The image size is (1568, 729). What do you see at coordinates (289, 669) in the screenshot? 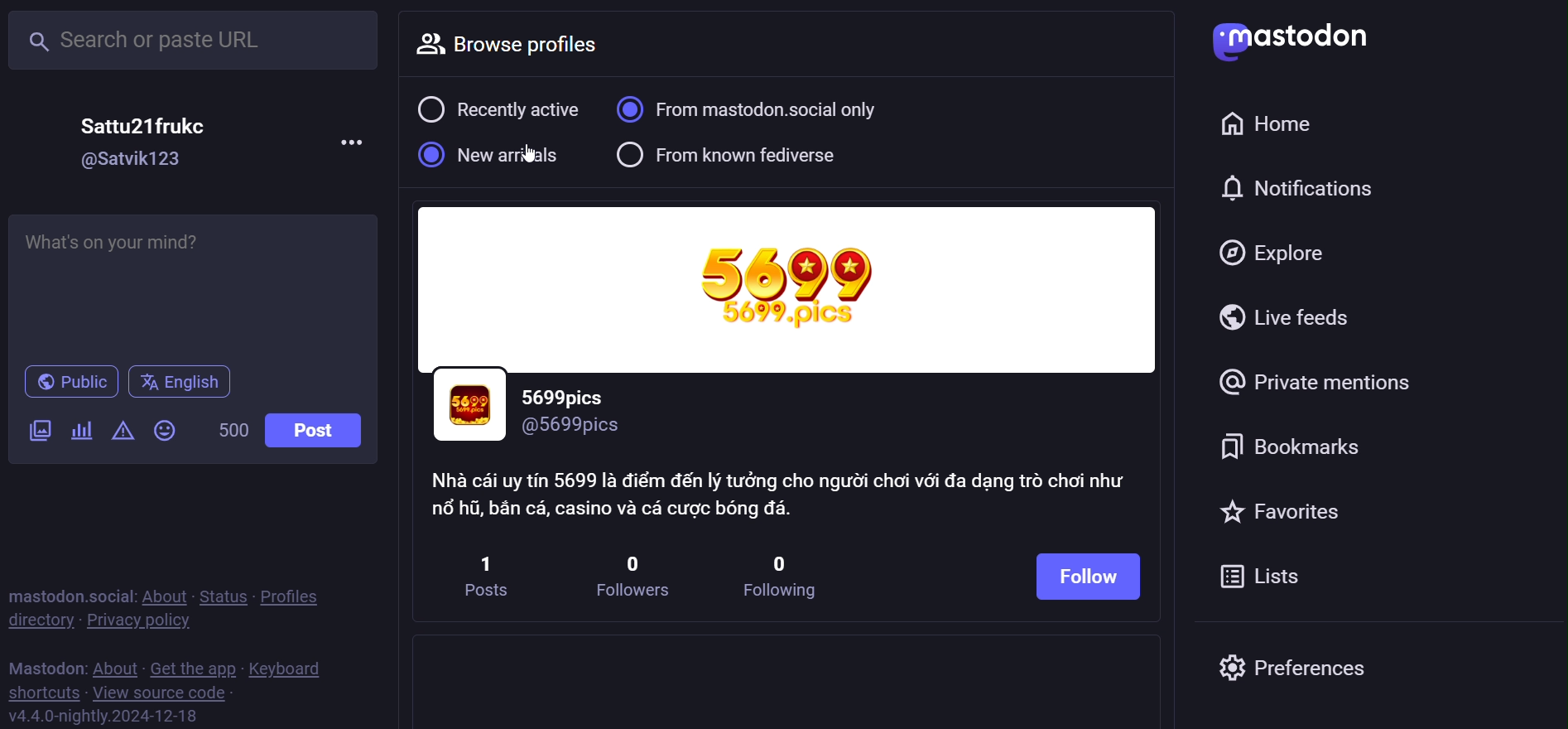
I see `keyboard` at bounding box center [289, 669].